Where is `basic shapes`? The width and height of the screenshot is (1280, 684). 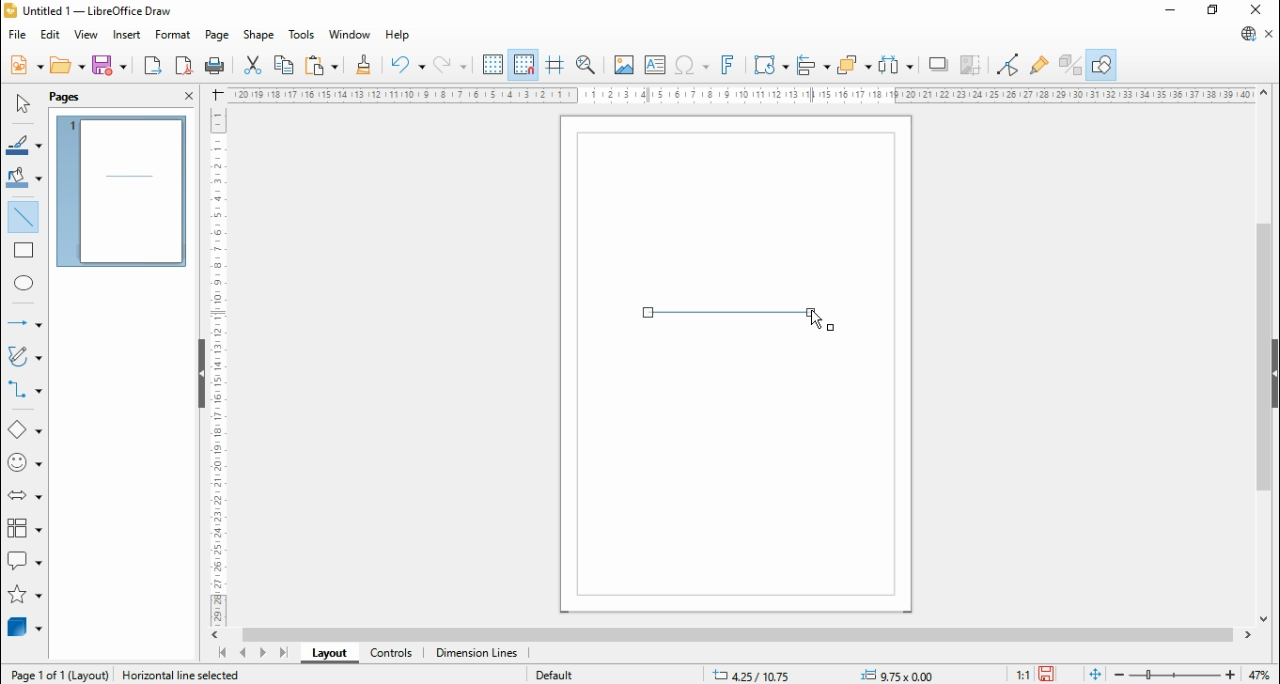
basic shapes is located at coordinates (24, 430).